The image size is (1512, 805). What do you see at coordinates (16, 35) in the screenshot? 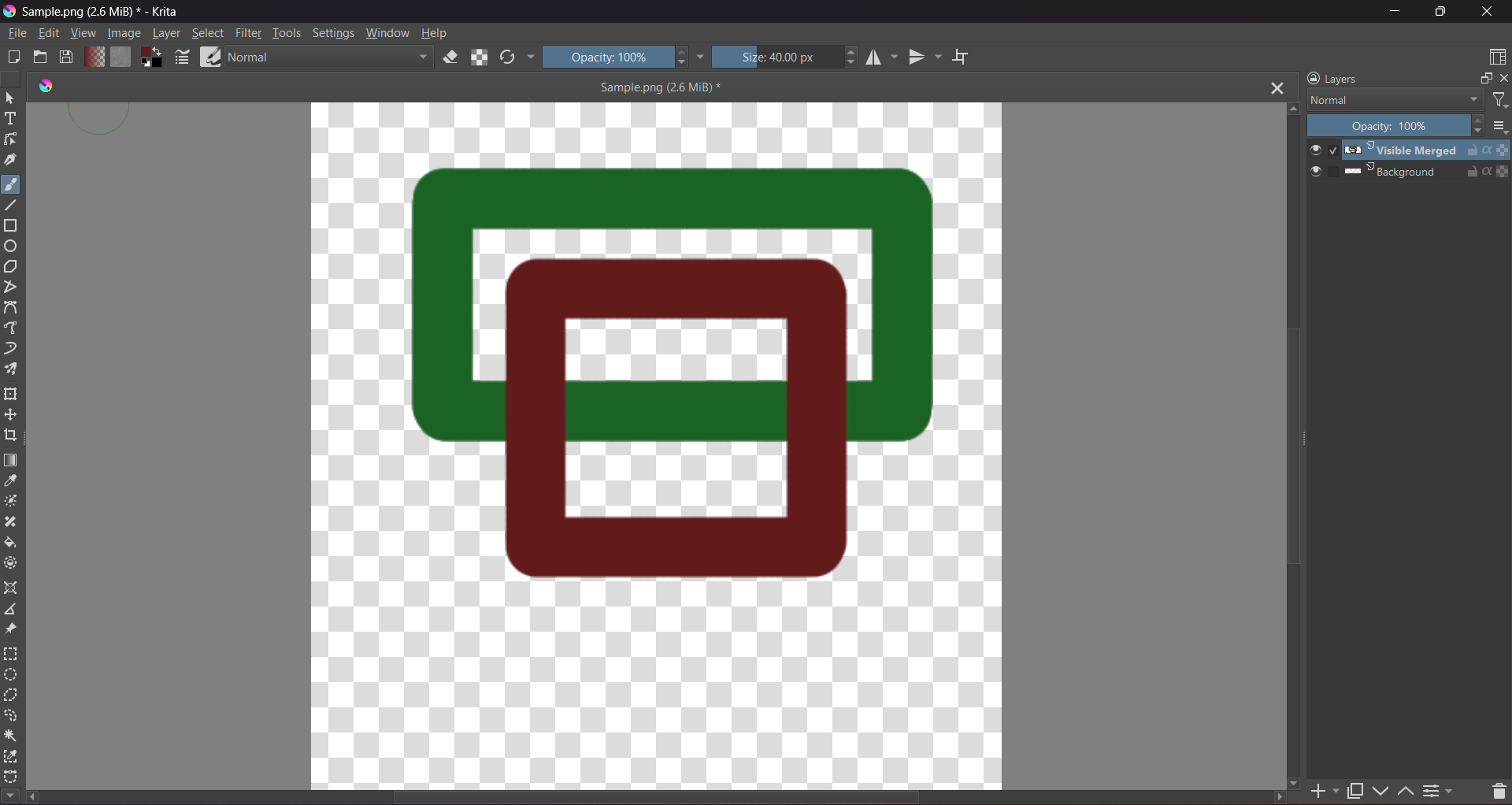
I see `File` at bounding box center [16, 35].